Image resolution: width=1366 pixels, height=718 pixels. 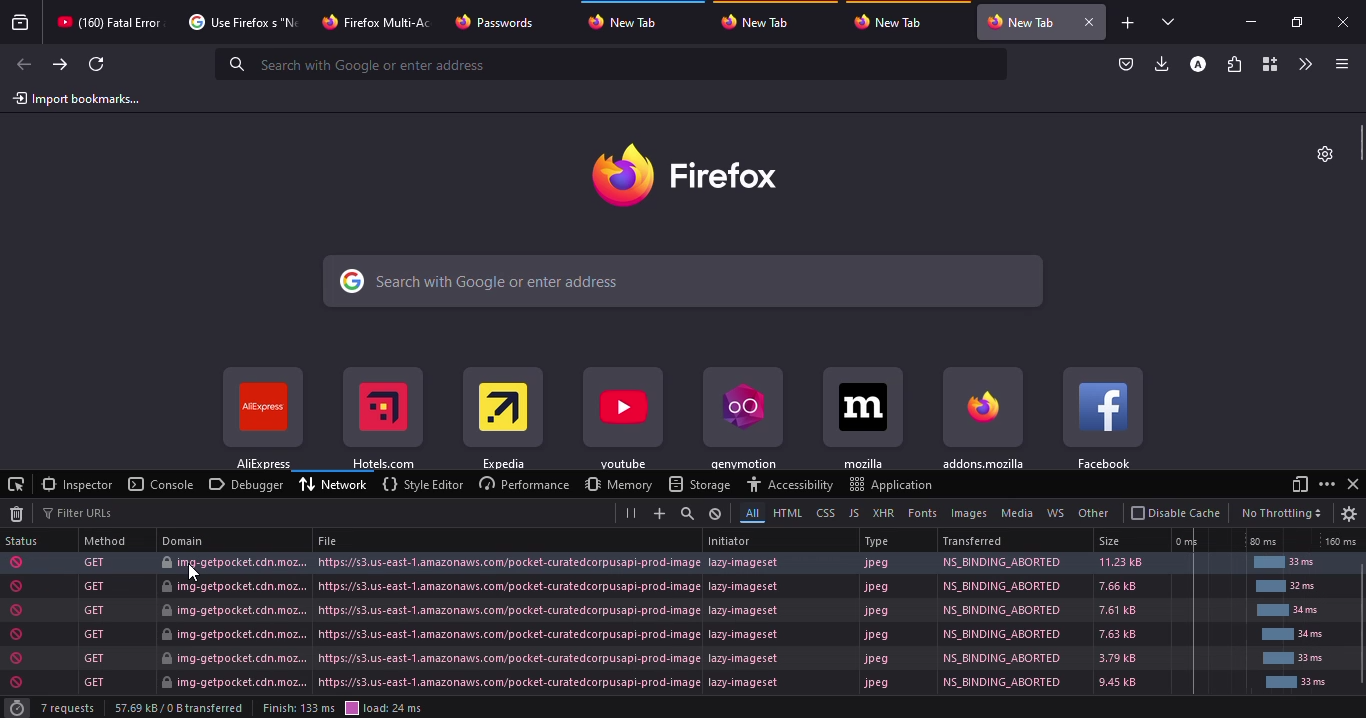 What do you see at coordinates (382, 420) in the screenshot?
I see `shortcuts` at bounding box center [382, 420].